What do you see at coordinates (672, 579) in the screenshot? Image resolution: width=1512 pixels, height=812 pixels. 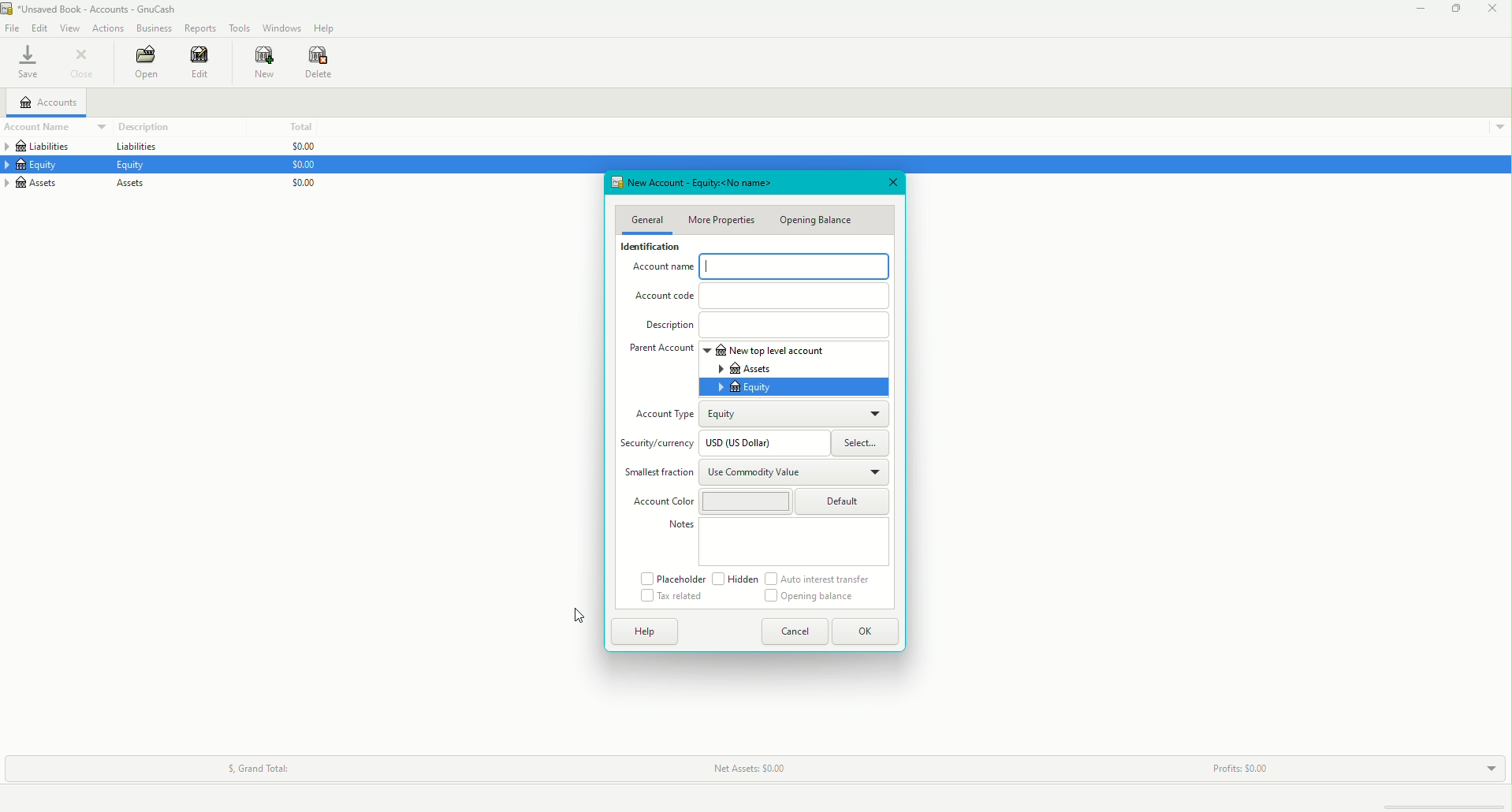 I see `Placeholder` at bounding box center [672, 579].